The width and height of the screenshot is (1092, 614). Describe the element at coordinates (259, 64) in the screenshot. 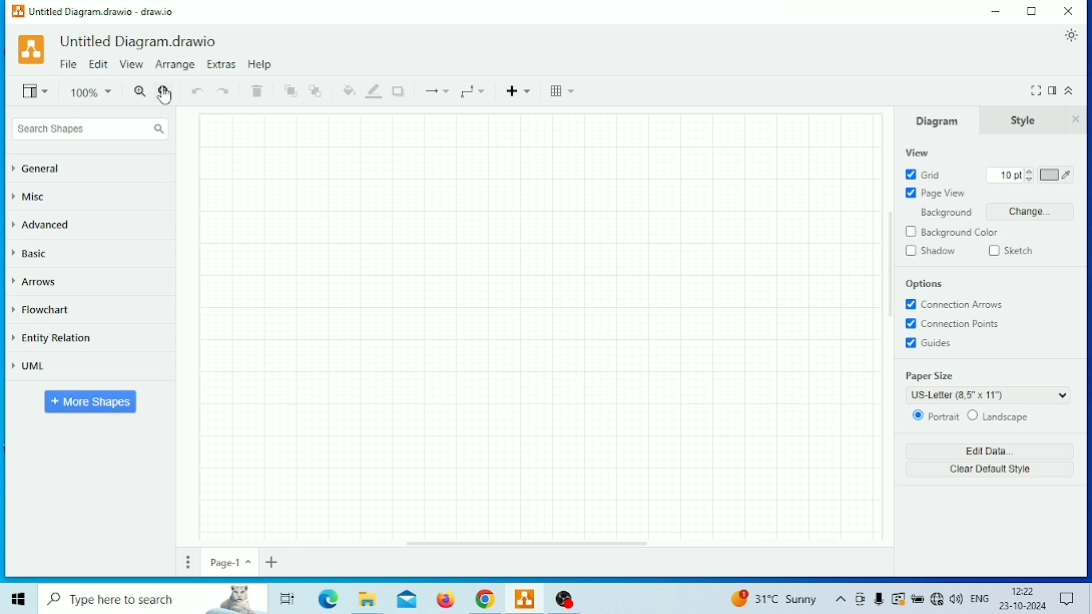

I see `Help` at that location.